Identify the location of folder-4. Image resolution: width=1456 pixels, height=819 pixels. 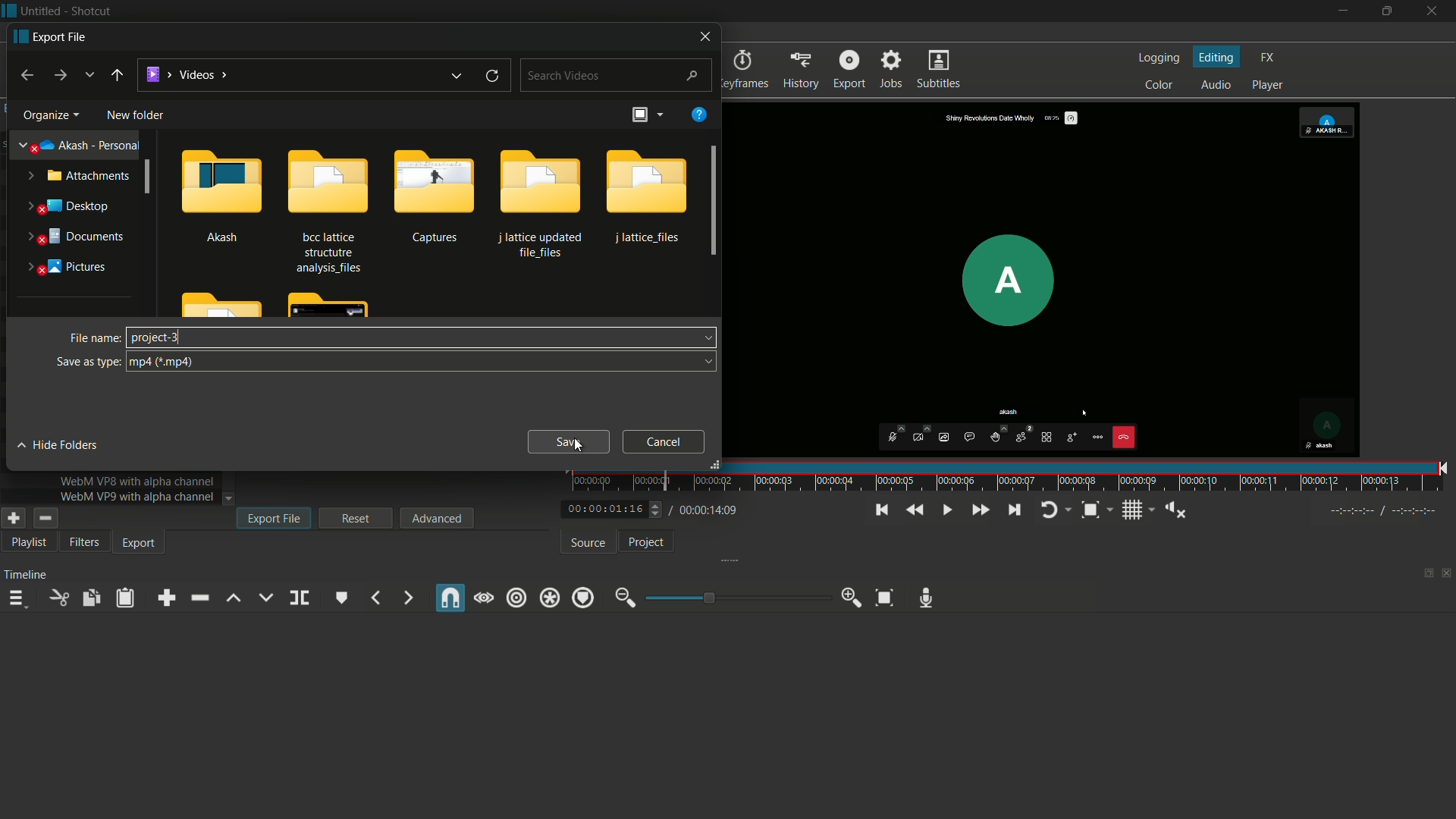
(540, 201).